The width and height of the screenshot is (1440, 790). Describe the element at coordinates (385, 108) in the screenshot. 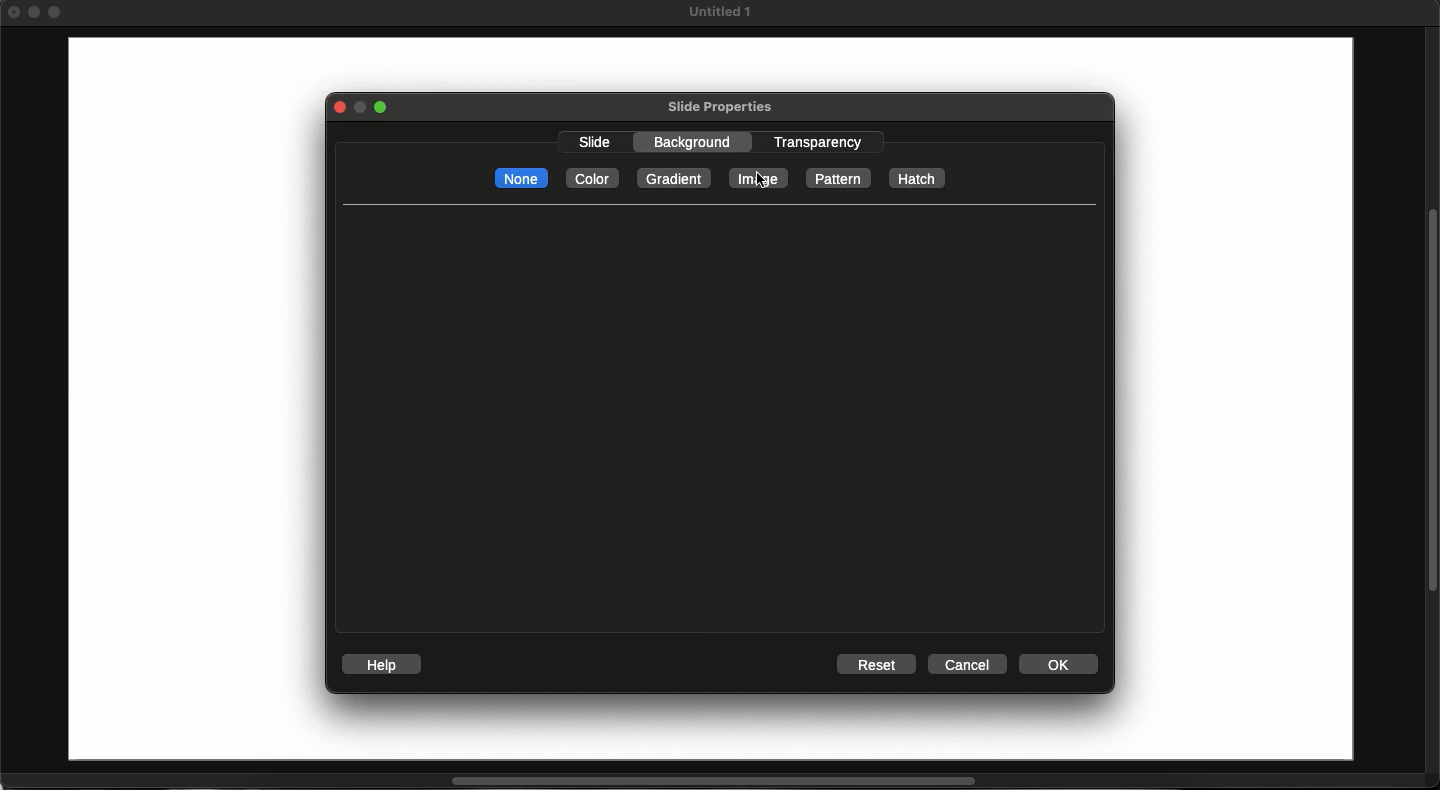

I see `Maximize` at that location.